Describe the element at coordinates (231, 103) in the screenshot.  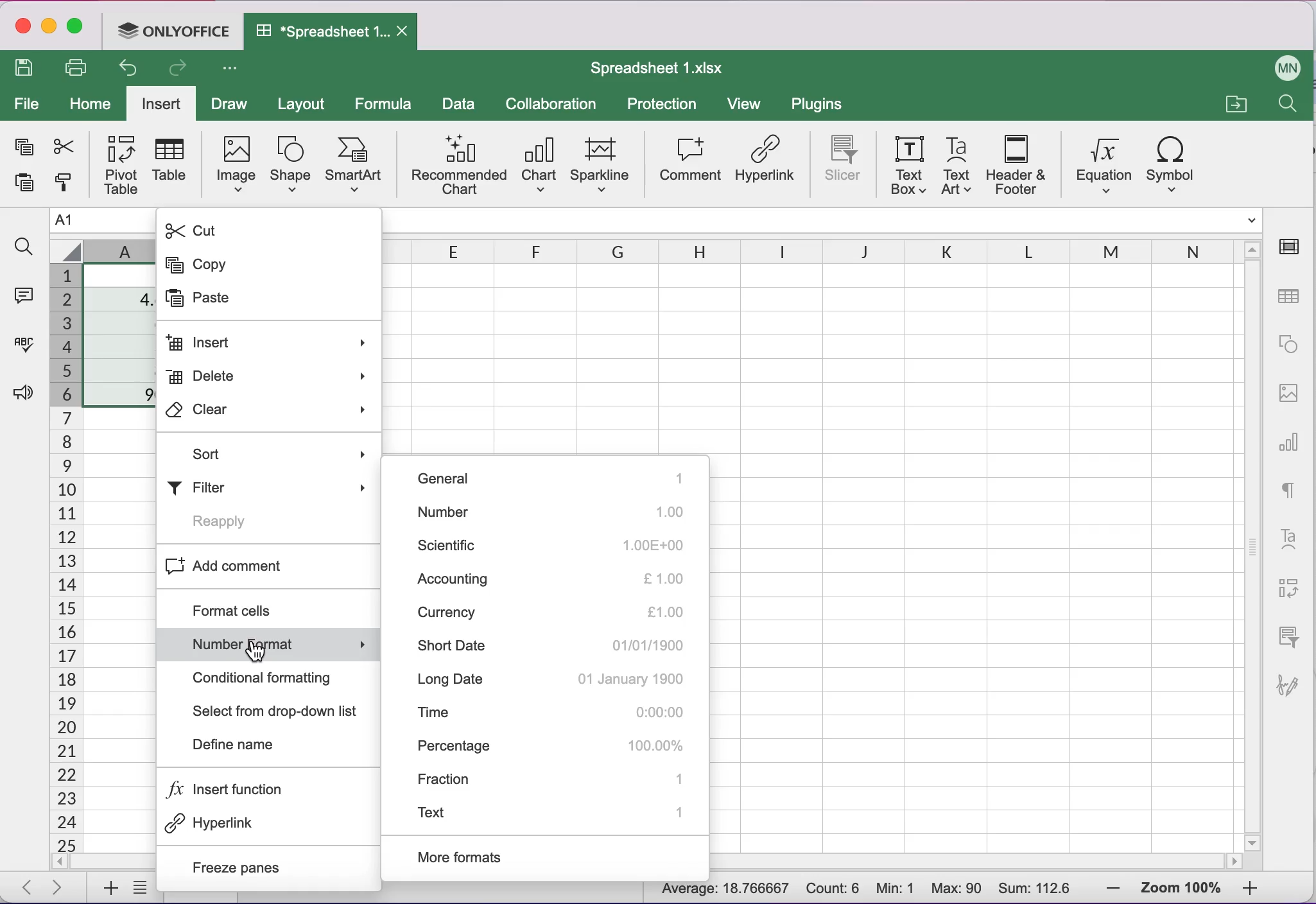
I see `draw` at that location.